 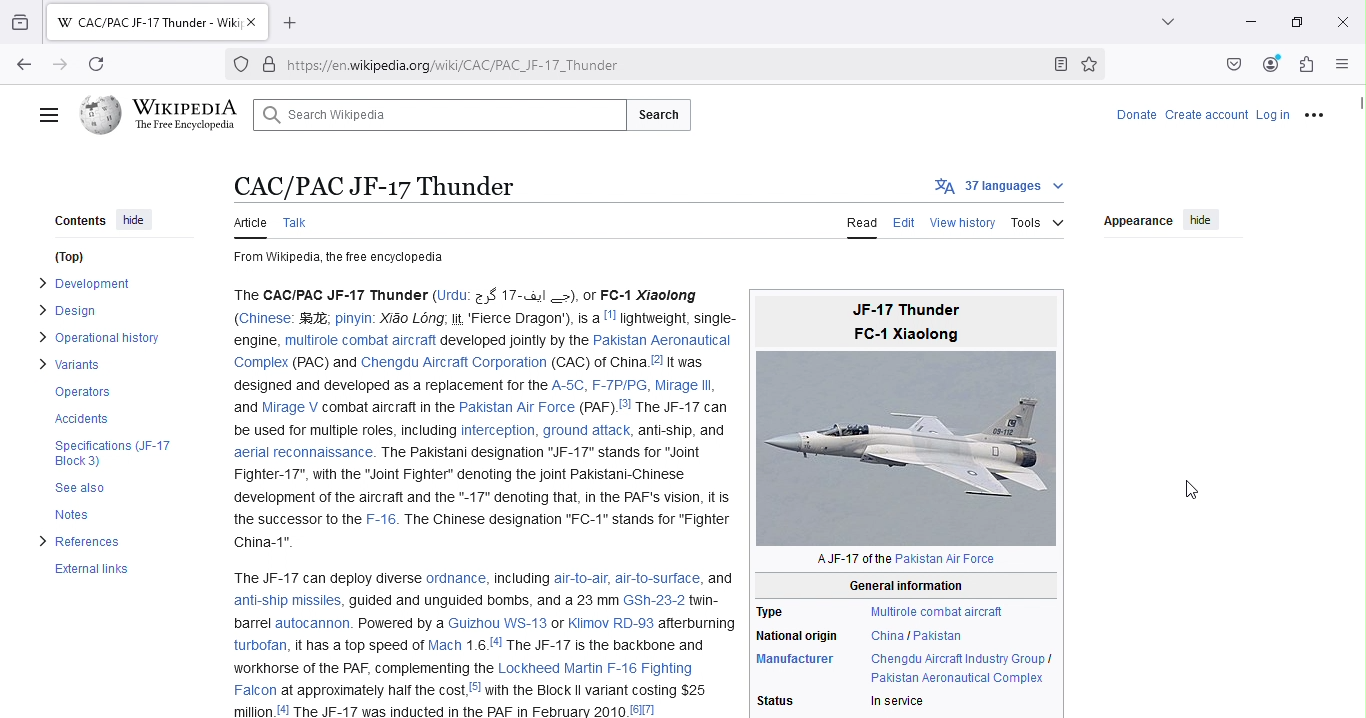 I want to click on donate, so click(x=1133, y=115).